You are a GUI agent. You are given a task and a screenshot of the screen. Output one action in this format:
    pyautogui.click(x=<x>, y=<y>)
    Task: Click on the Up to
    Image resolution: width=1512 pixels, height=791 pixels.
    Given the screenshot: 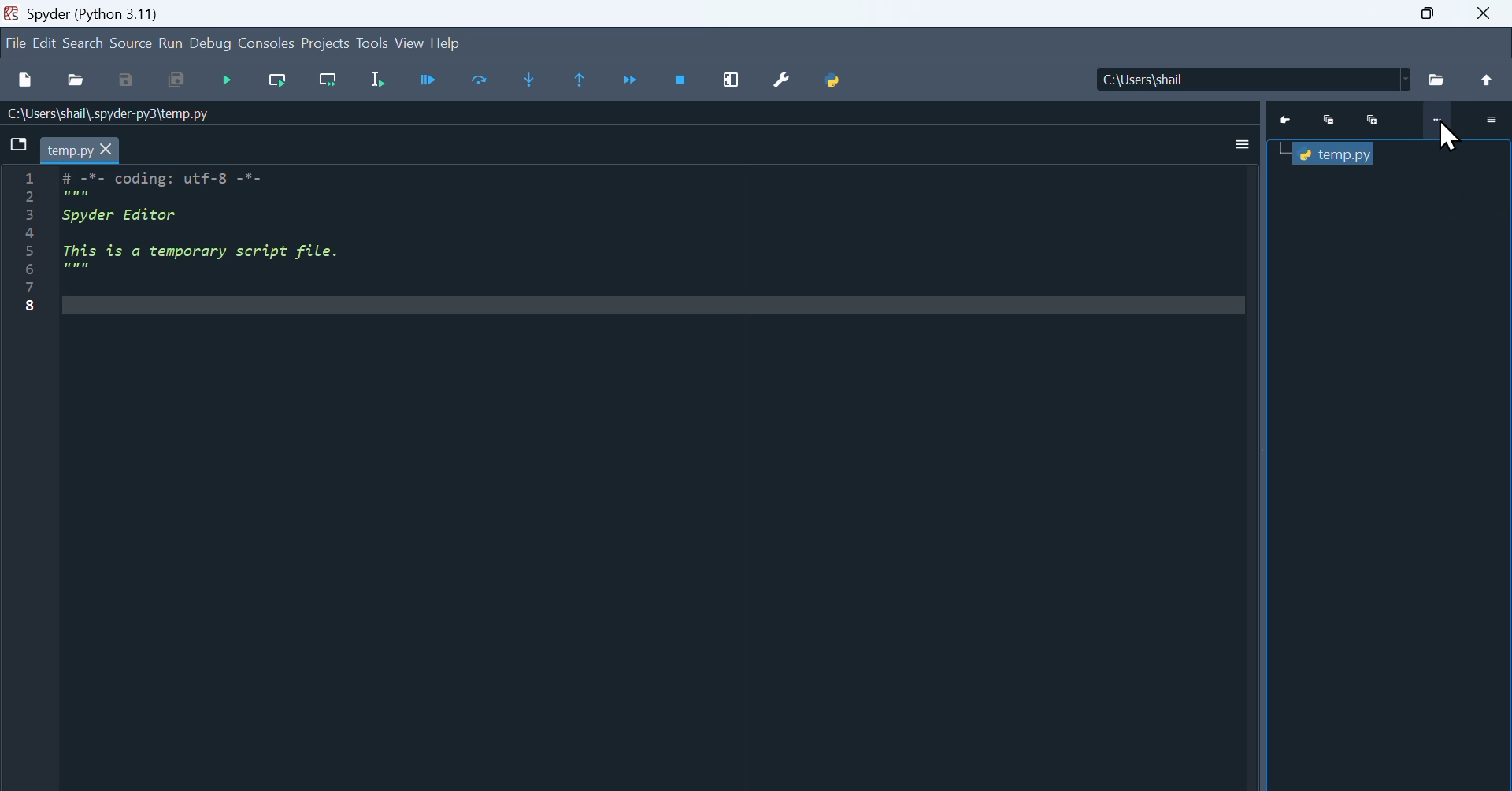 What is the action you would take?
    pyautogui.click(x=1491, y=80)
    